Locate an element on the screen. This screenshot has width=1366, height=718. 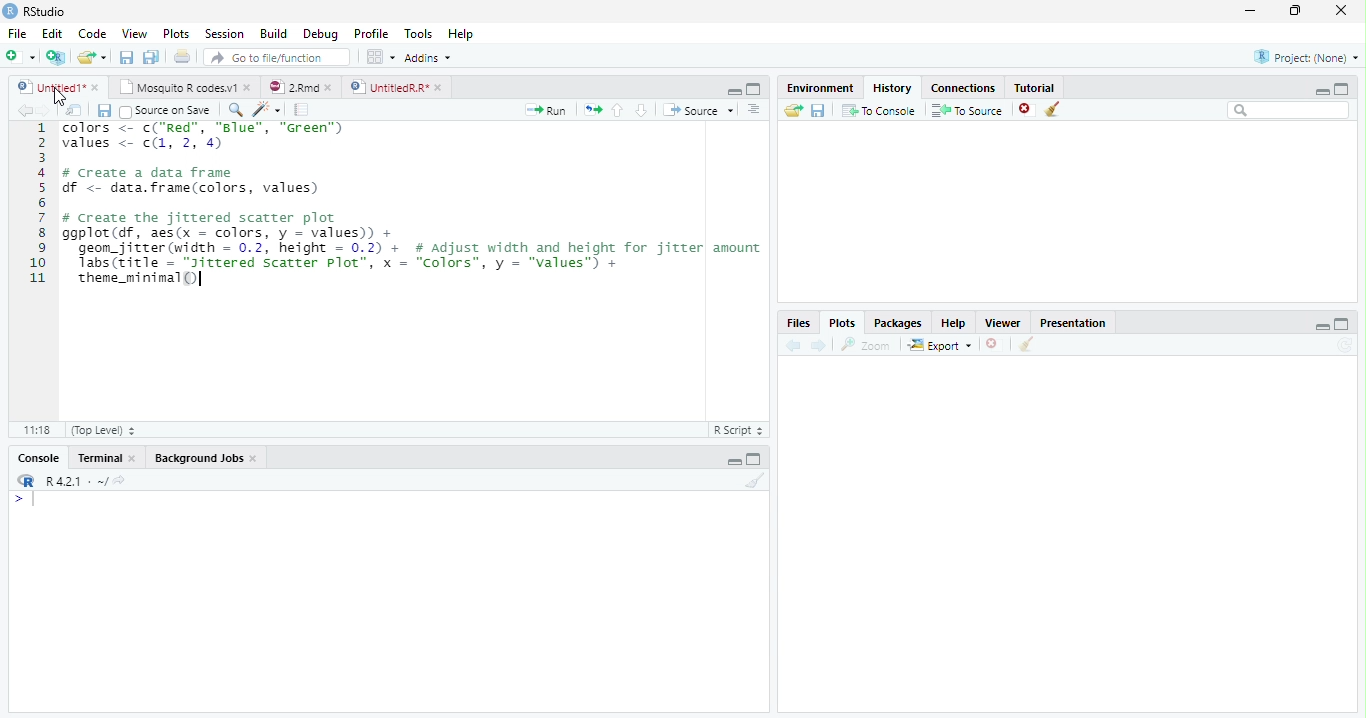
File is located at coordinates (18, 34).